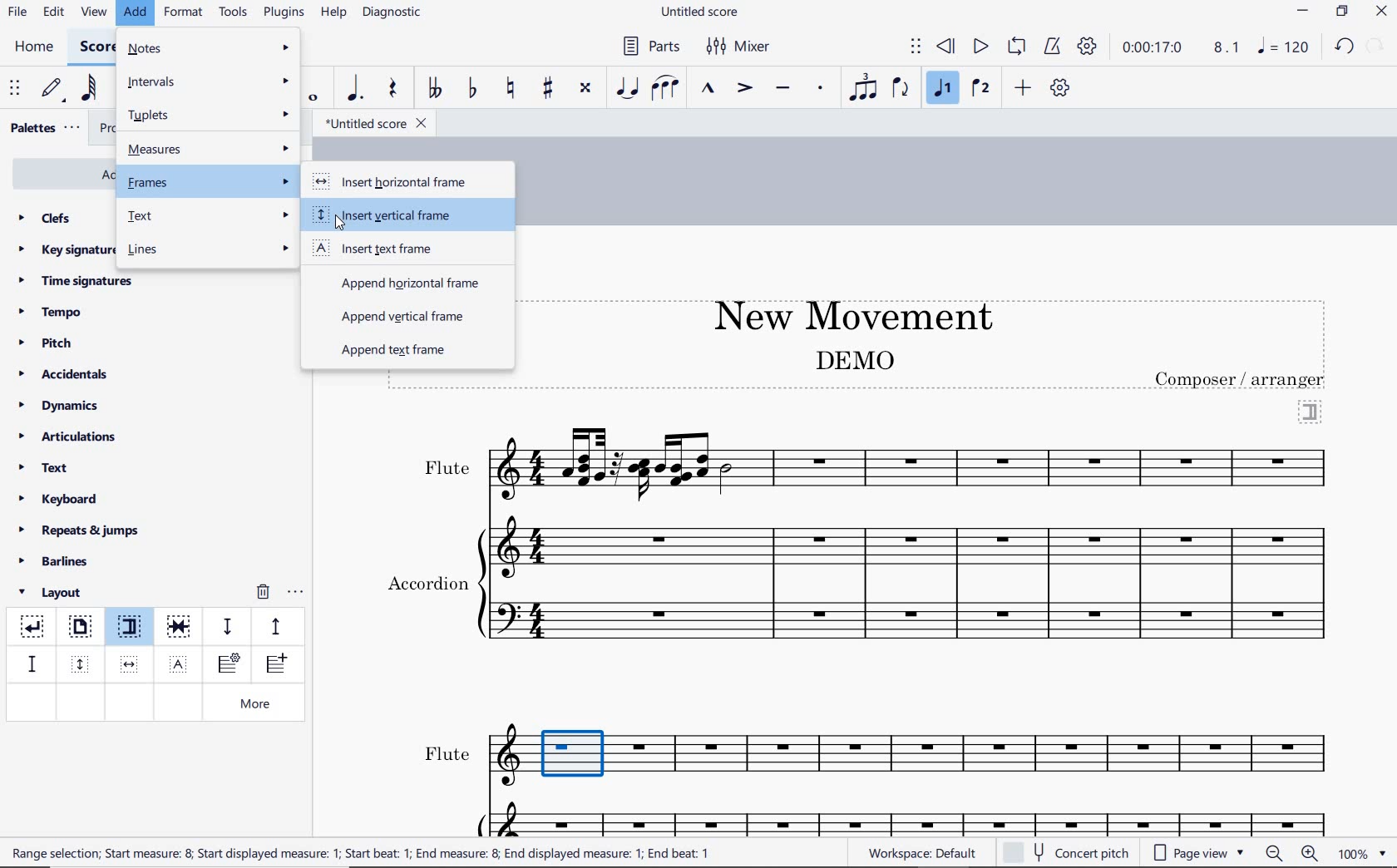 The height and width of the screenshot is (868, 1397). What do you see at coordinates (398, 282) in the screenshot?
I see `append horizontal frame` at bounding box center [398, 282].